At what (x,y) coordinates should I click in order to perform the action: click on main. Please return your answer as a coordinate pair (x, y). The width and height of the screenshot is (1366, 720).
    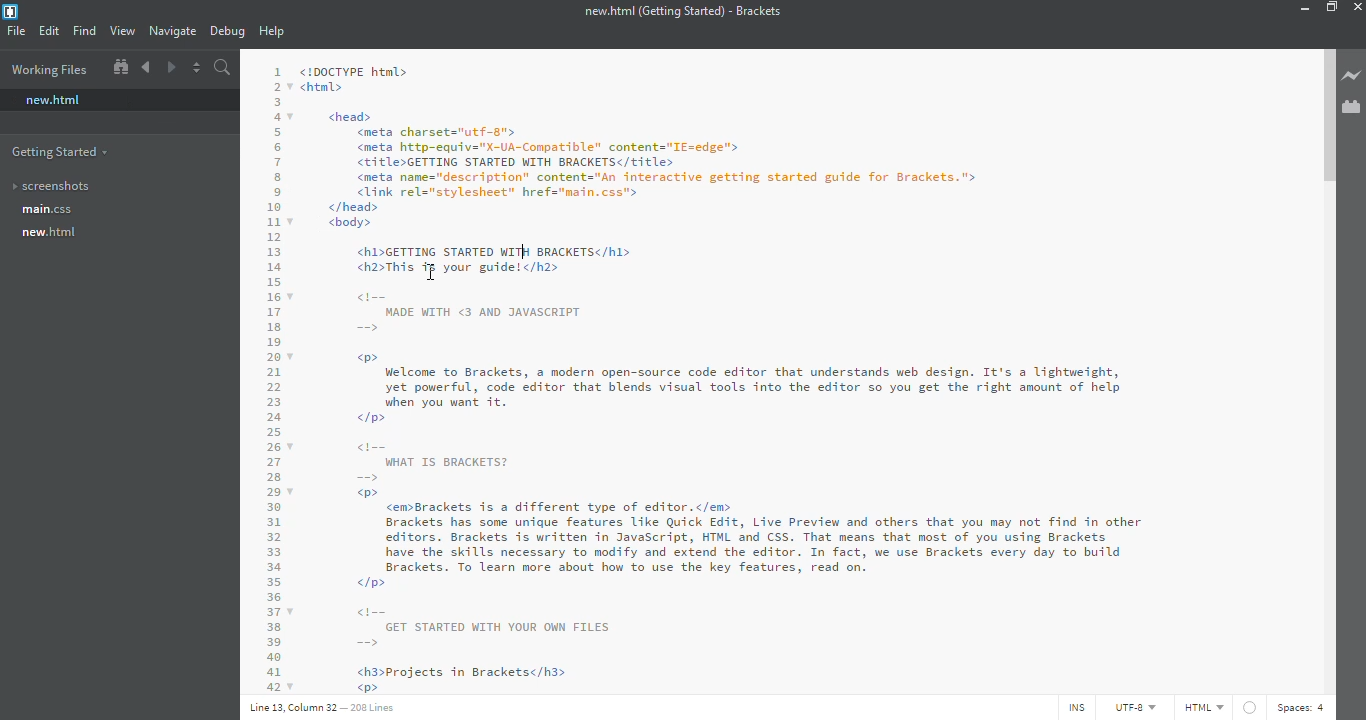
    Looking at the image, I should click on (50, 211).